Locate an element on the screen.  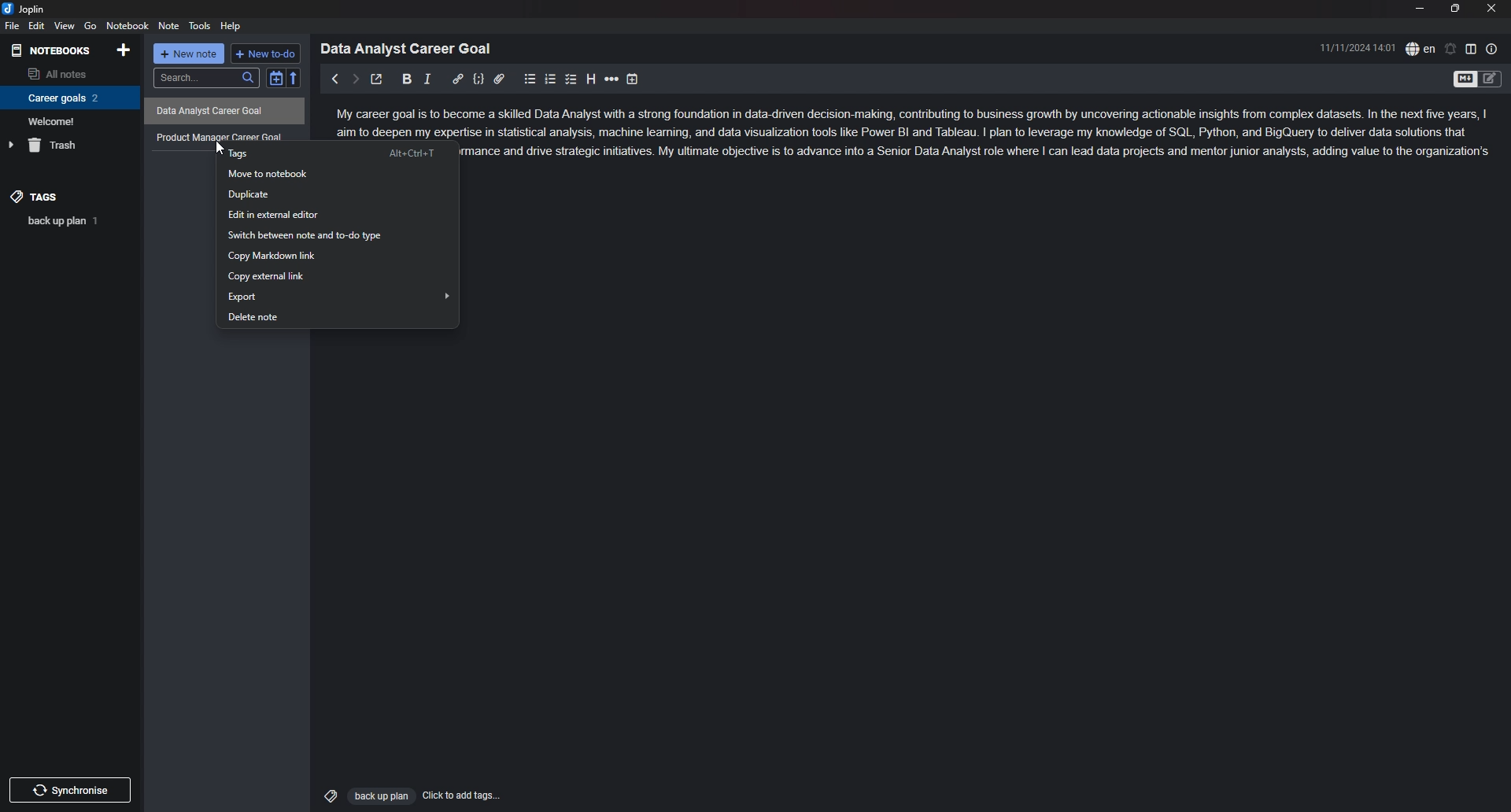
Toggle Editor is located at coordinates (1491, 80).